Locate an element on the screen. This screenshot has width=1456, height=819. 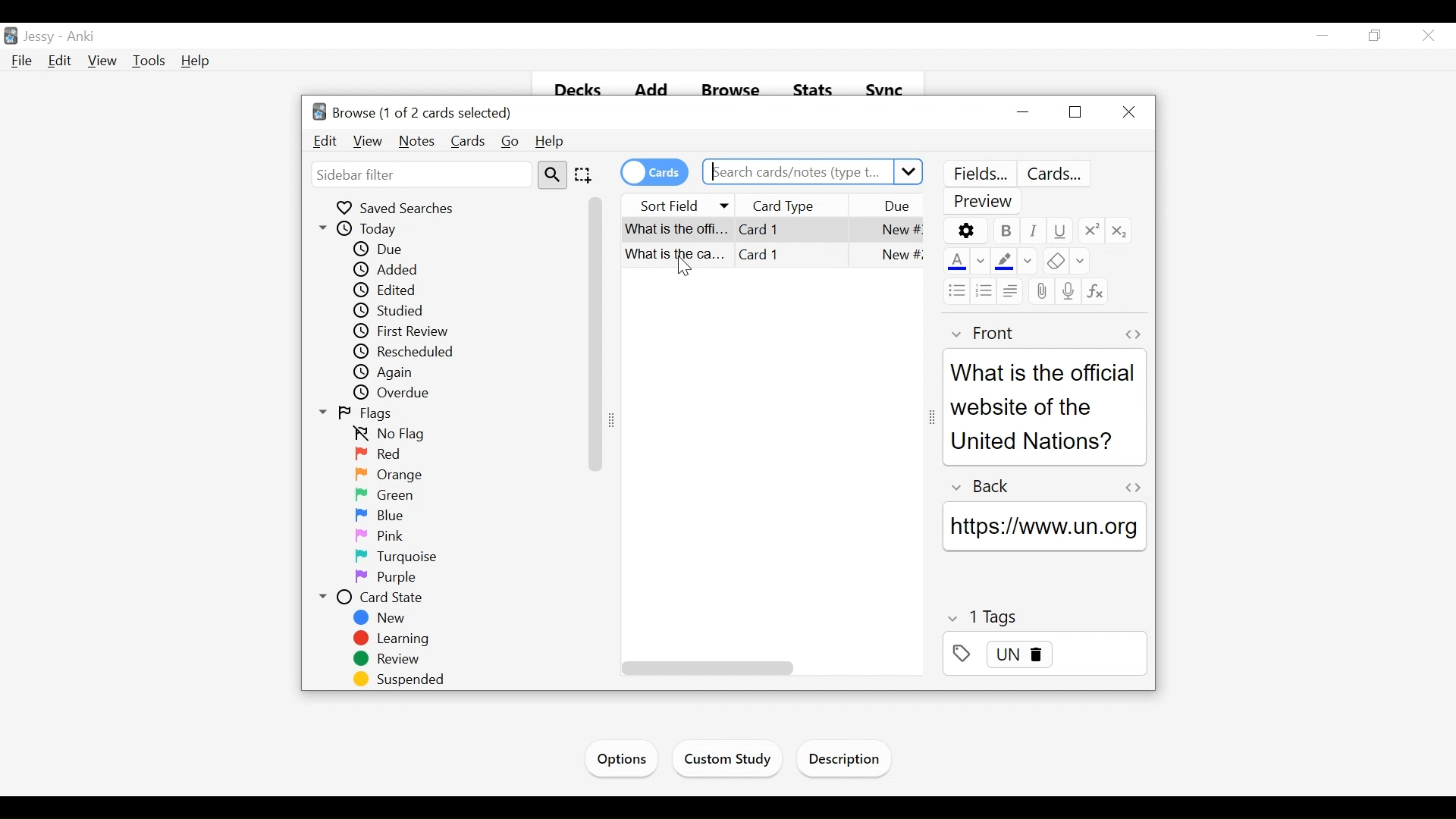
New is located at coordinates (381, 618).